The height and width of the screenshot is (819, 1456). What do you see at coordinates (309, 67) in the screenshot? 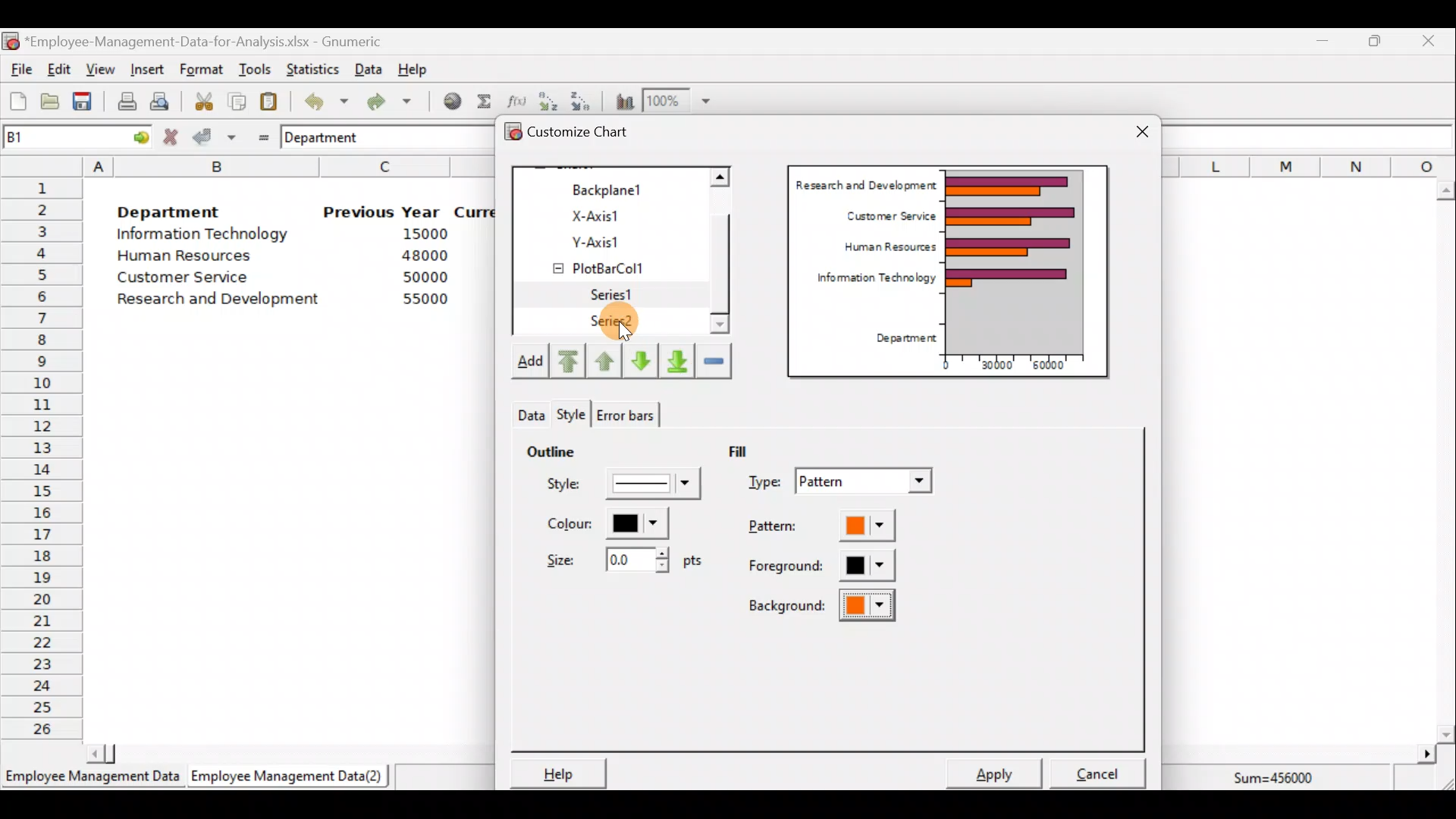
I see `Statistics` at bounding box center [309, 67].